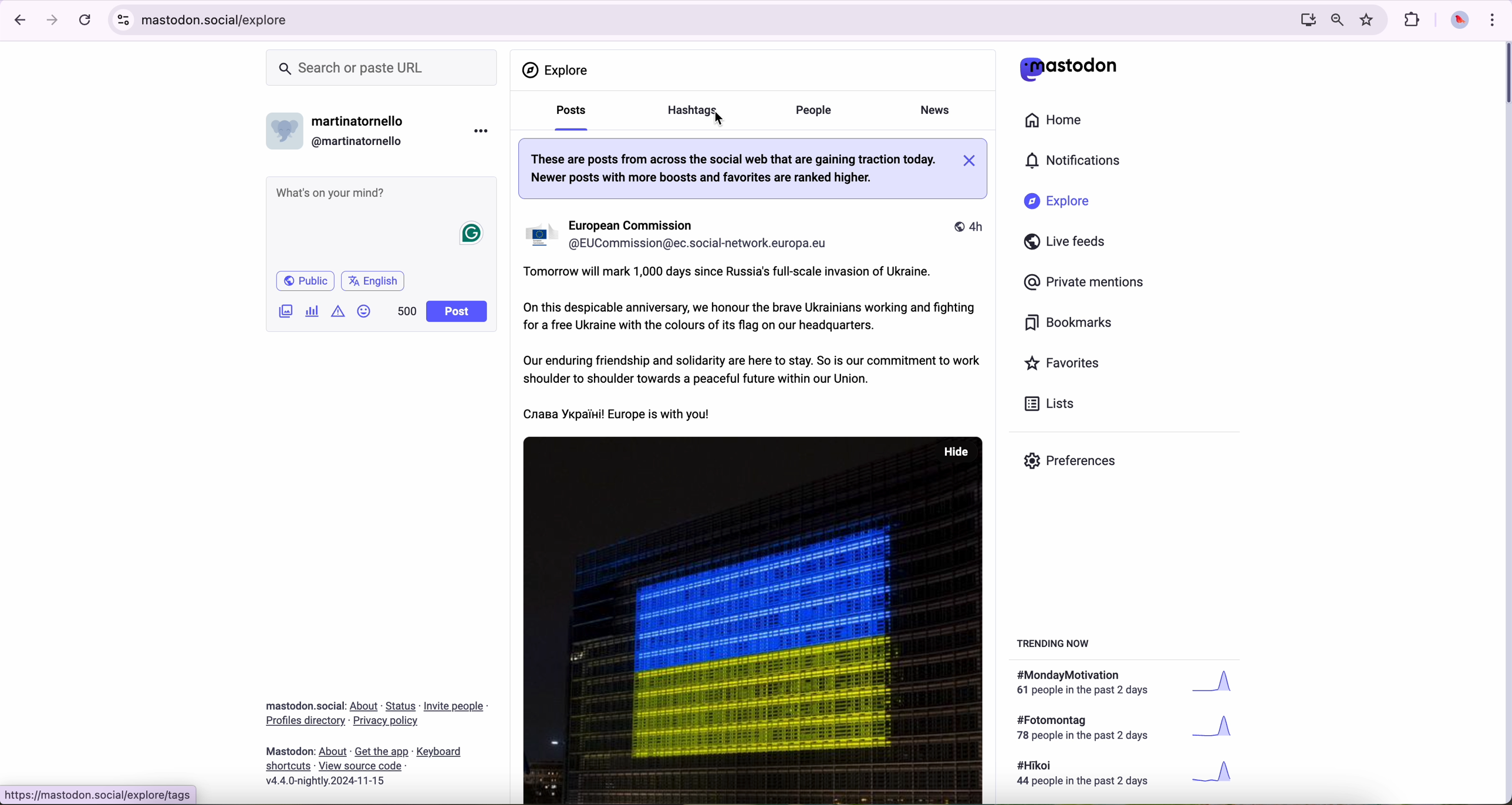 Image resolution: width=1512 pixels, height=805 pixels. I want to click on close, so click(972, 161).